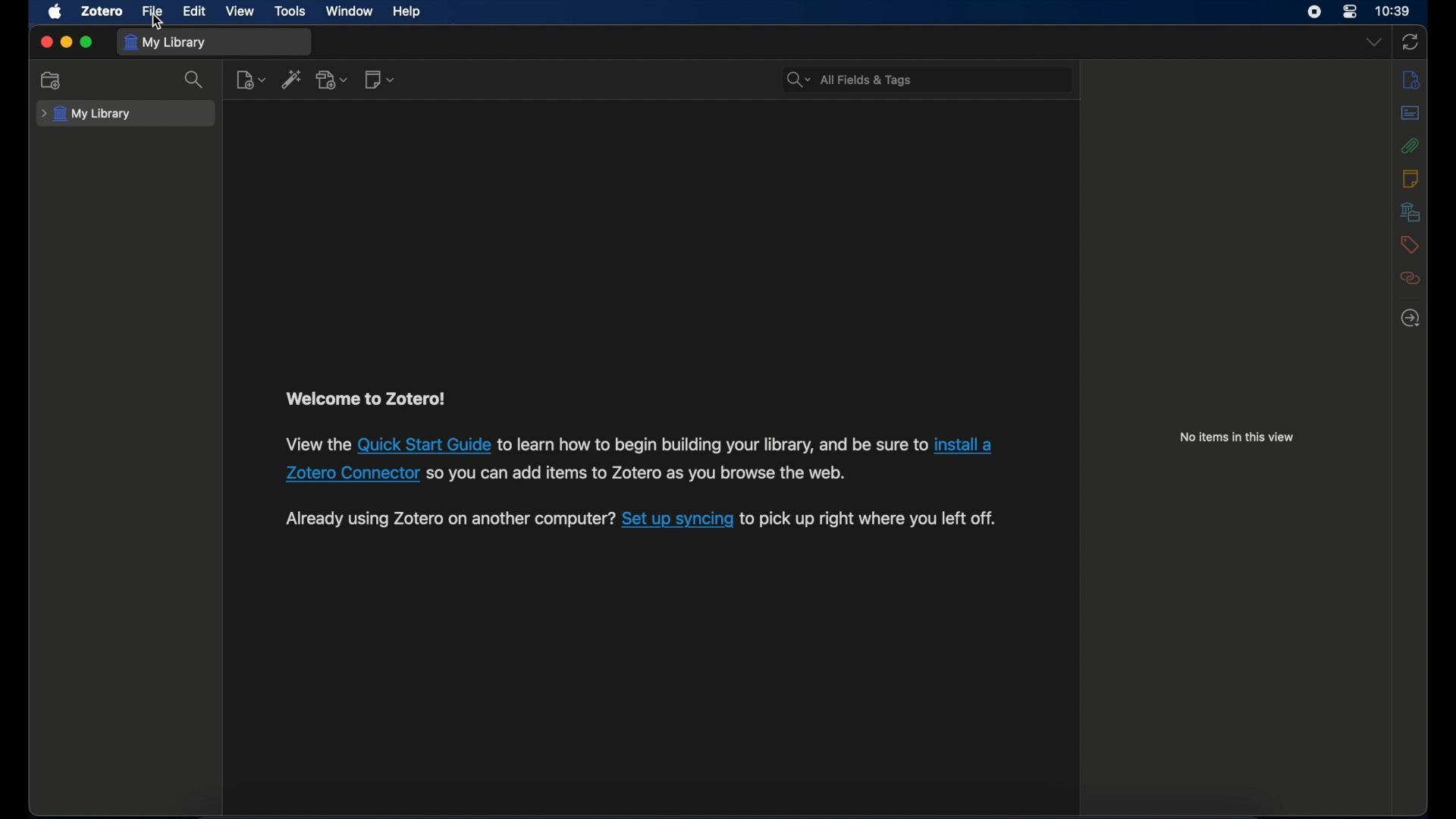 This screenshot has height=819, width=1456. What do you see at coordinates (1314, 12) in the screenshot?
I see `screen recorder` at bounding box center [1314, 12].